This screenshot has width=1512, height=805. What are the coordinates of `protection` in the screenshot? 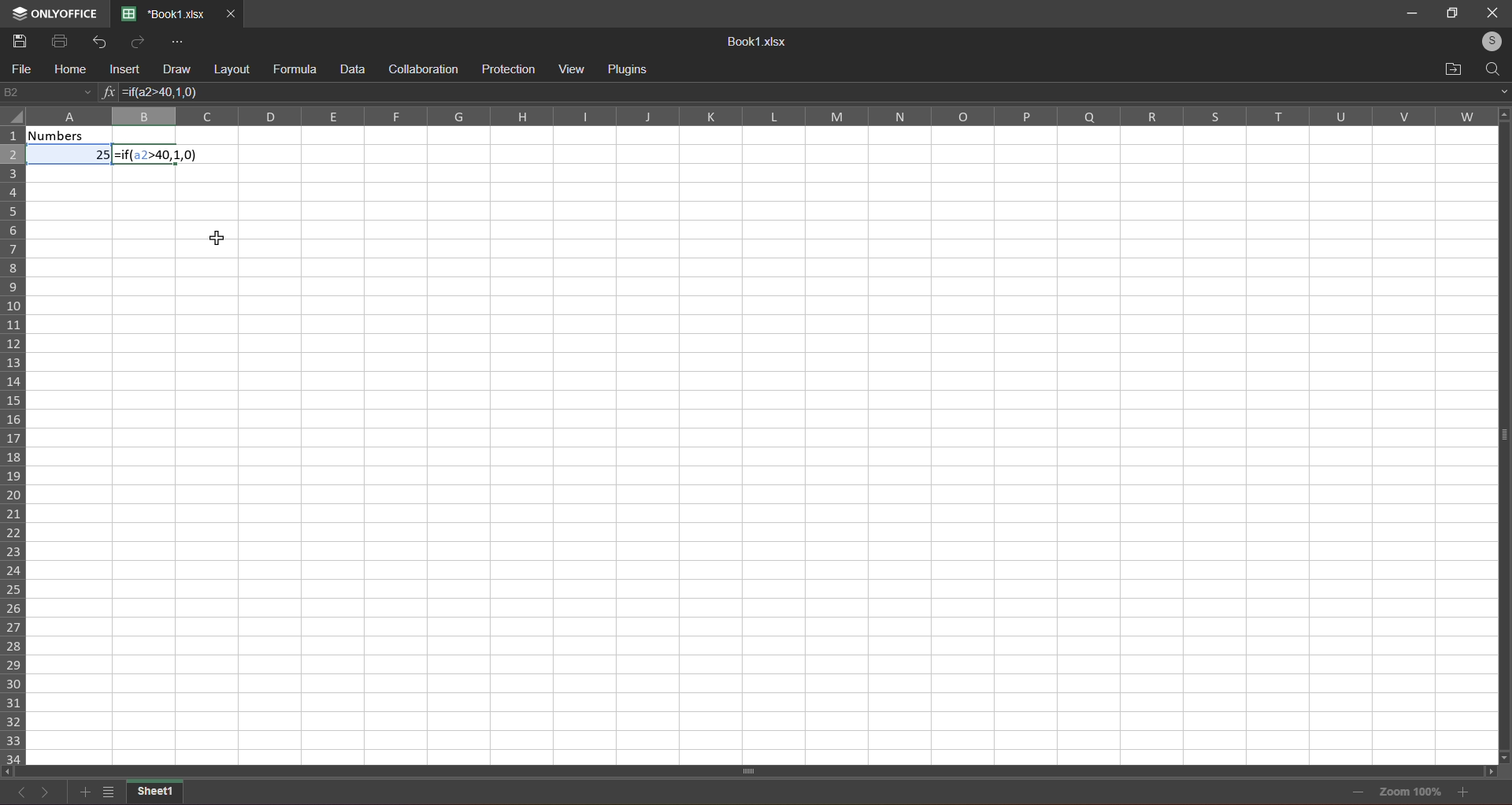 It's located at (506, 69).